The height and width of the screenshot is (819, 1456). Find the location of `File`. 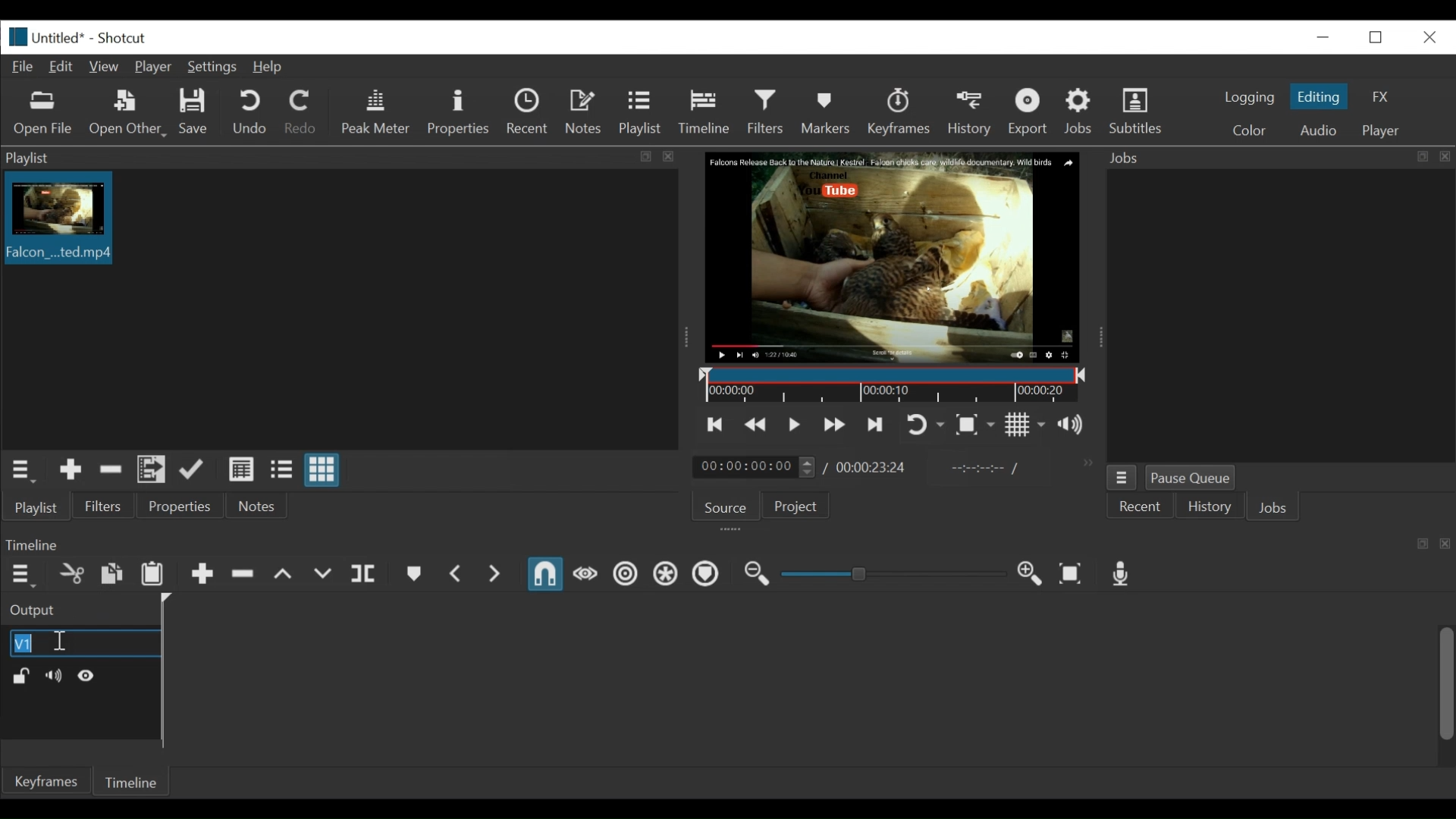

File is located at coordinates (22, 67).